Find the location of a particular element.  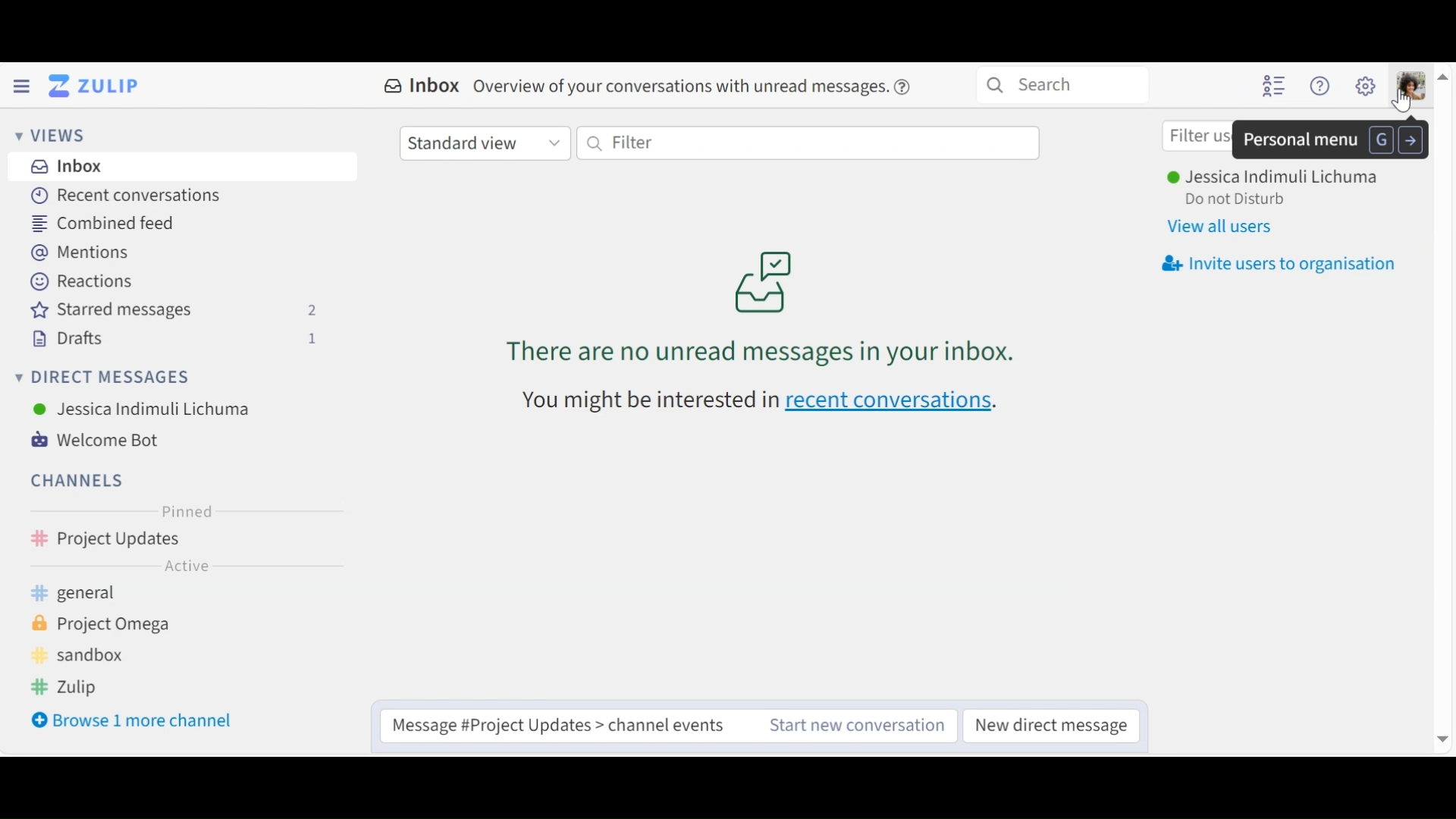

Active is located at coordinates (184, 568).